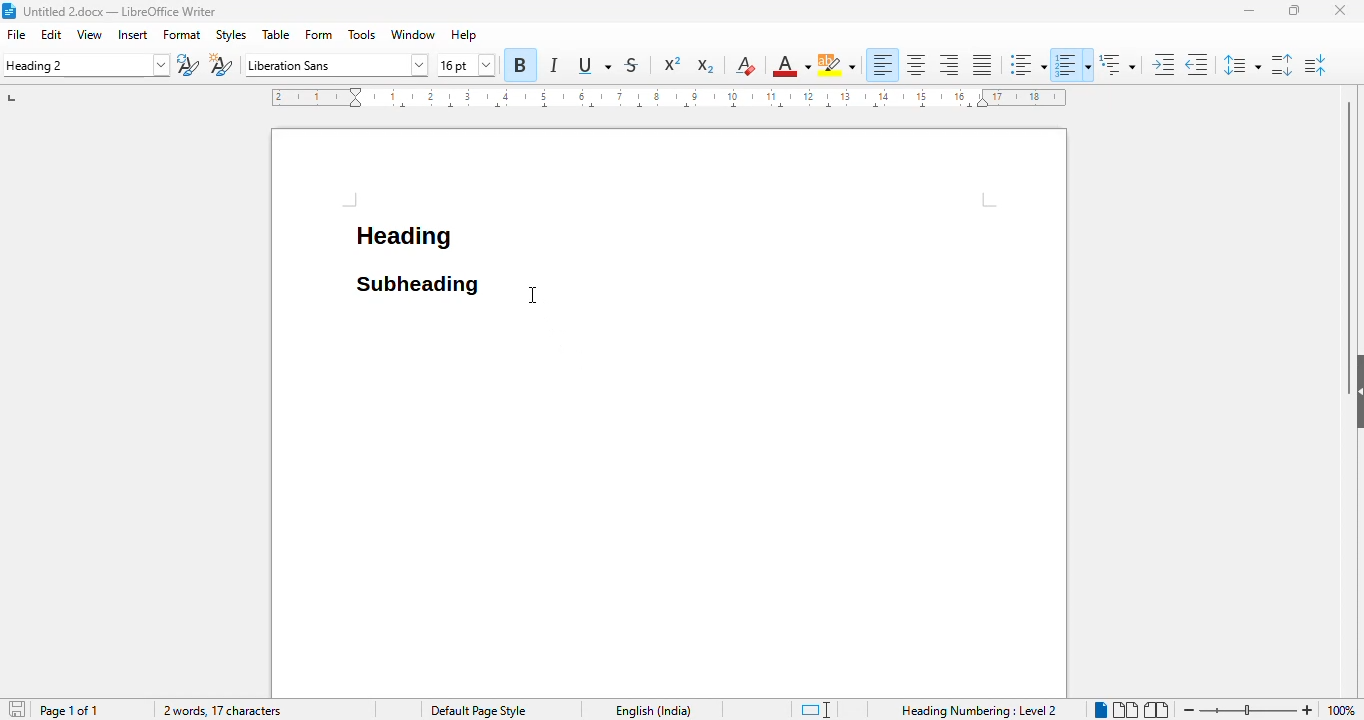 The height and width of the screenshot is (720, 1364). What do you see at coordinates (466, 65) in the screenshot?
I see `font size` at bounding box center [466, 65].